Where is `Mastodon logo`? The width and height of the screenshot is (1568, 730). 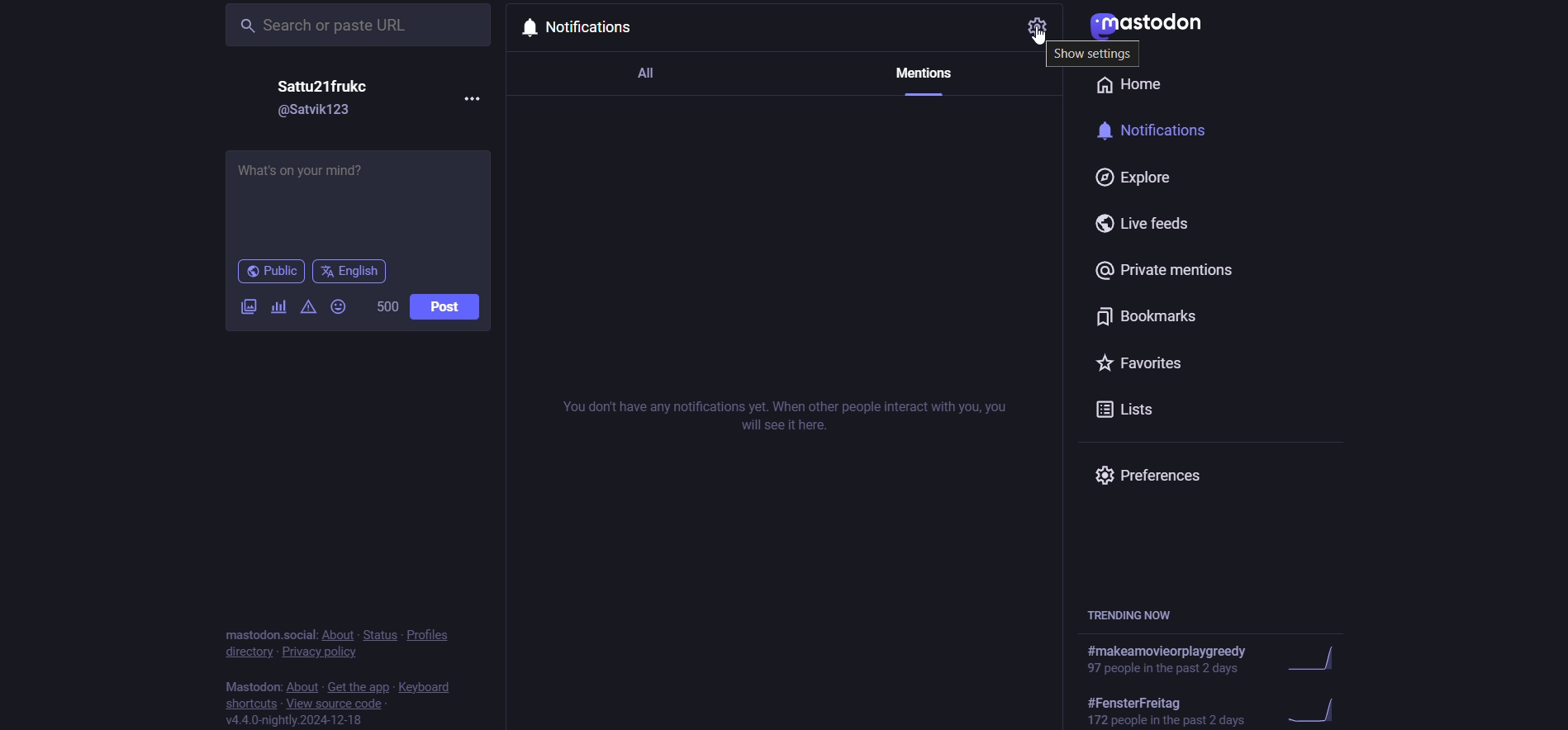 Mastodon logo is located at coordinates (1147, 27).